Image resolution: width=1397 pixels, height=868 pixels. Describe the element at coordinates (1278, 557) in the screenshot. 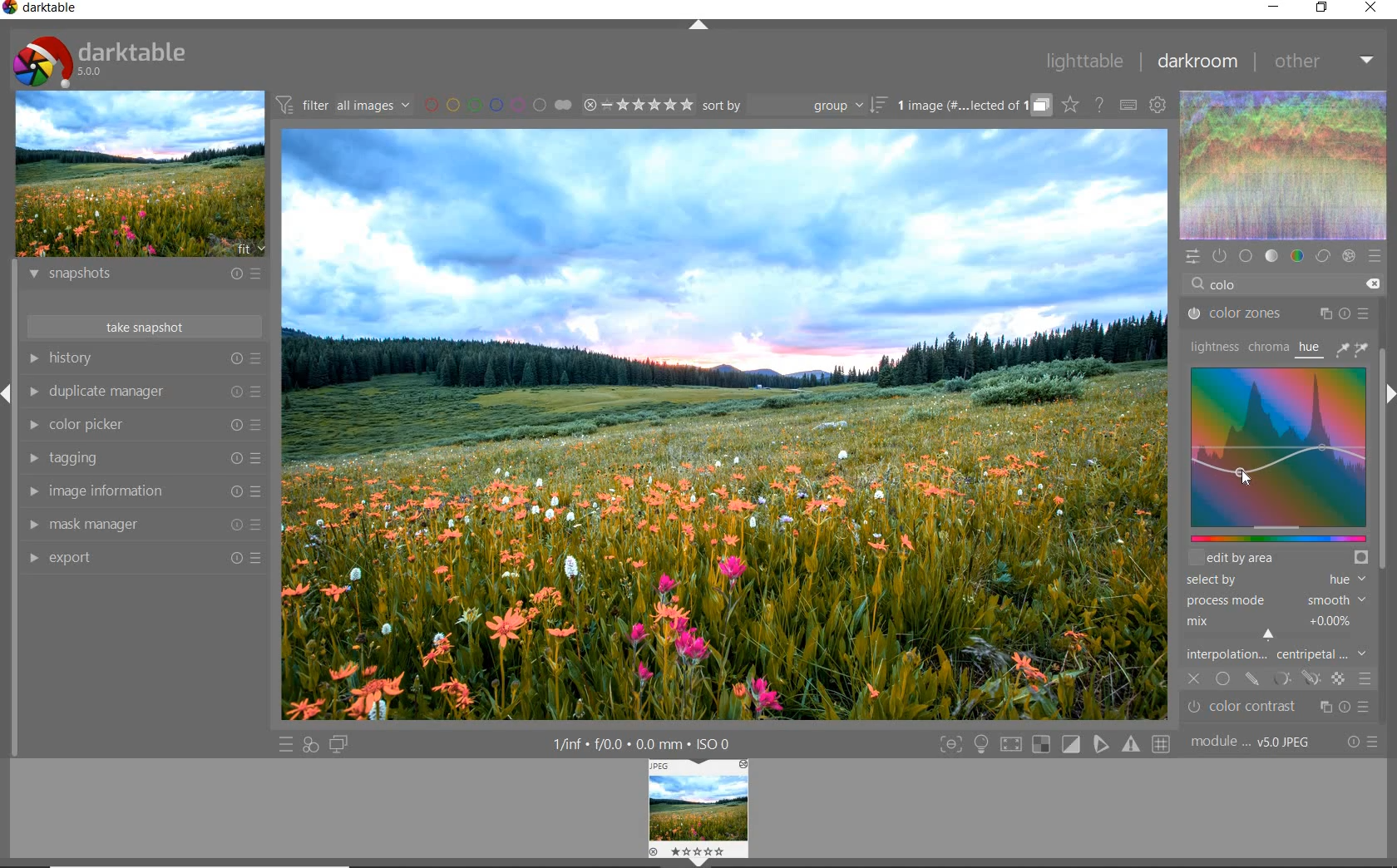

I see `edit by area` at that location.